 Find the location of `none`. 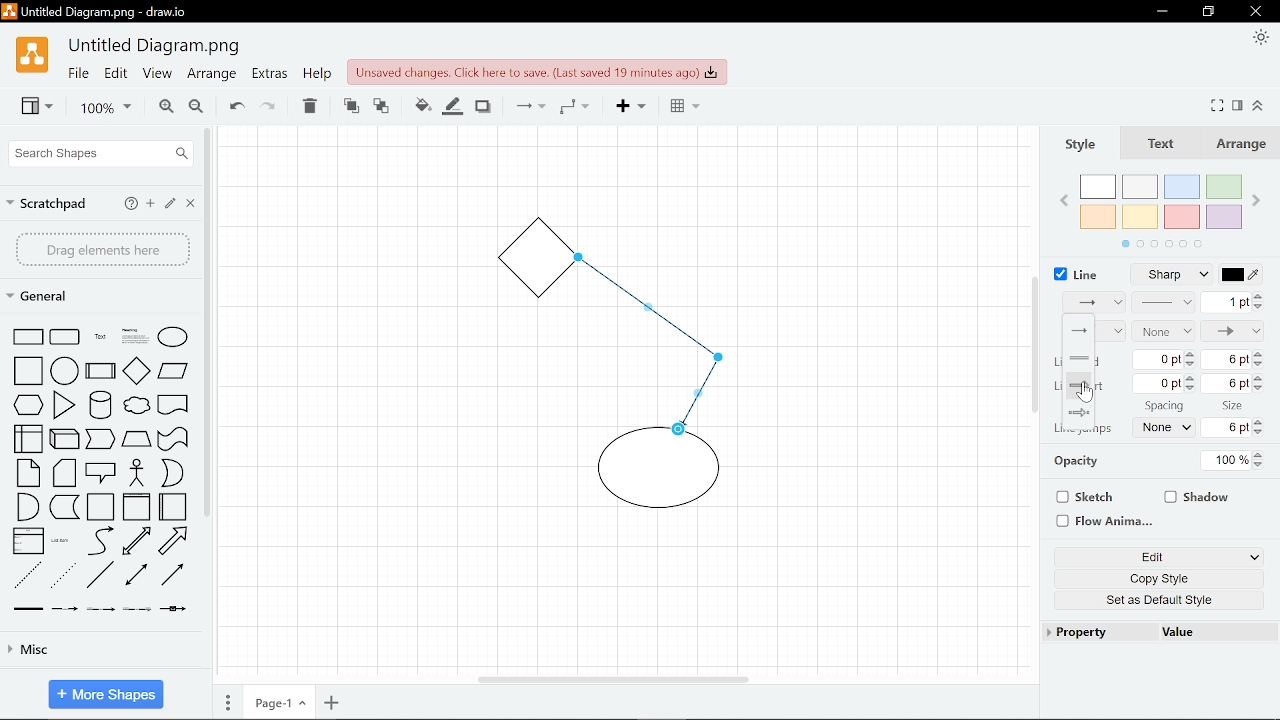

none is located at coordinates (1167, 428).